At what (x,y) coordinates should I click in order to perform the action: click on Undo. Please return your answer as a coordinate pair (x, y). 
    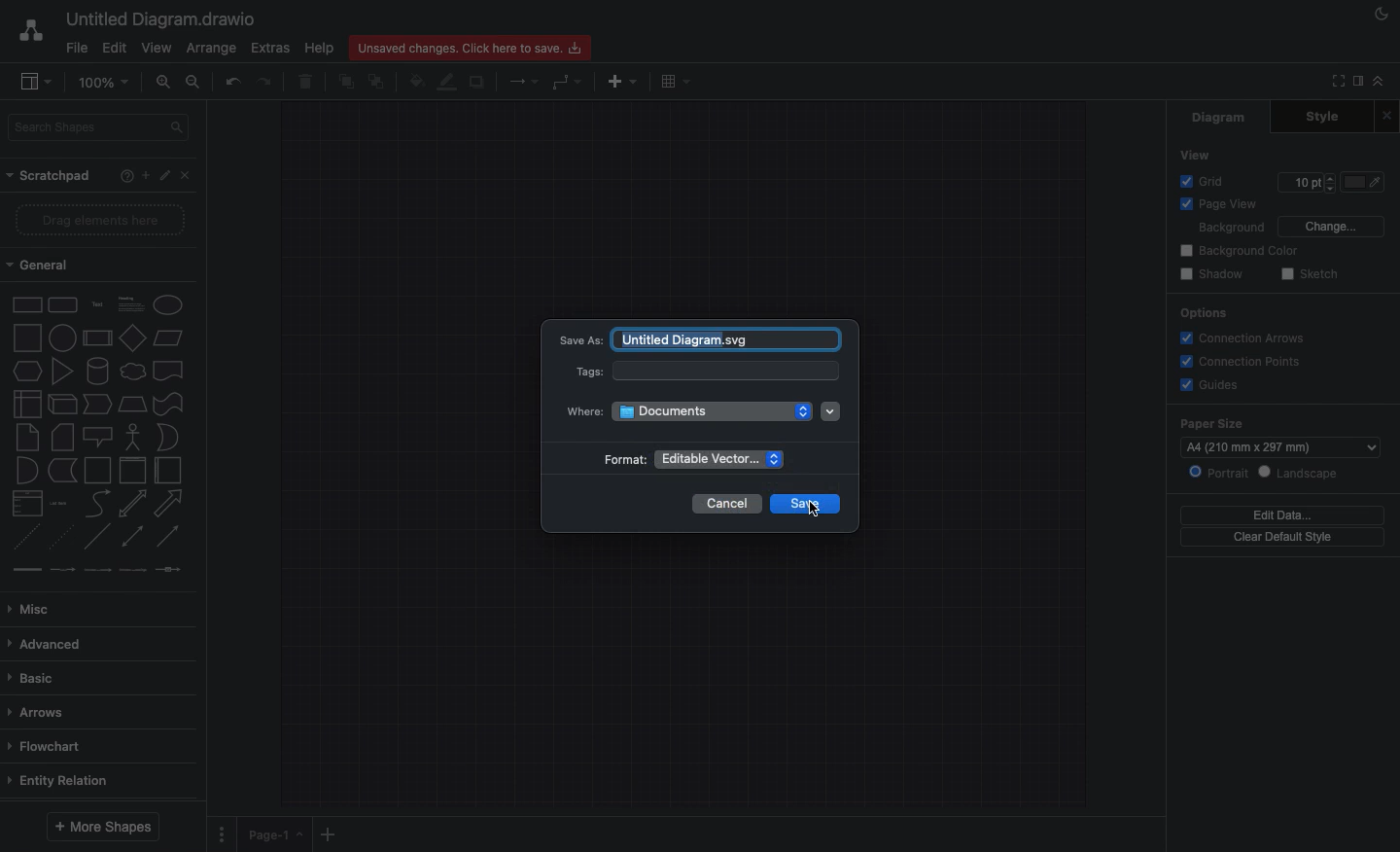
    Looking at the image, I should click on (231, 82).